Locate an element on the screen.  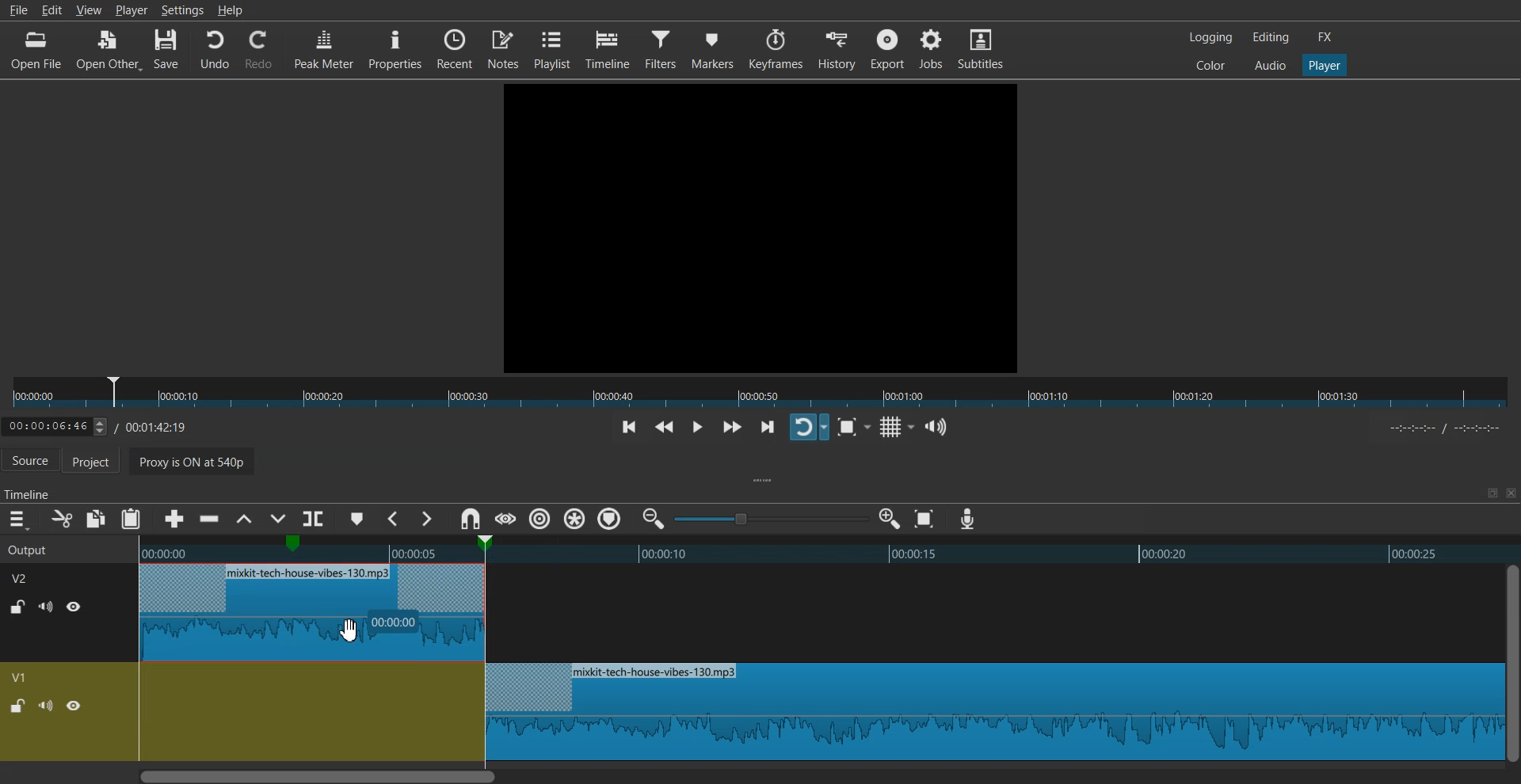
Player is located at coordinates (1325, 66).